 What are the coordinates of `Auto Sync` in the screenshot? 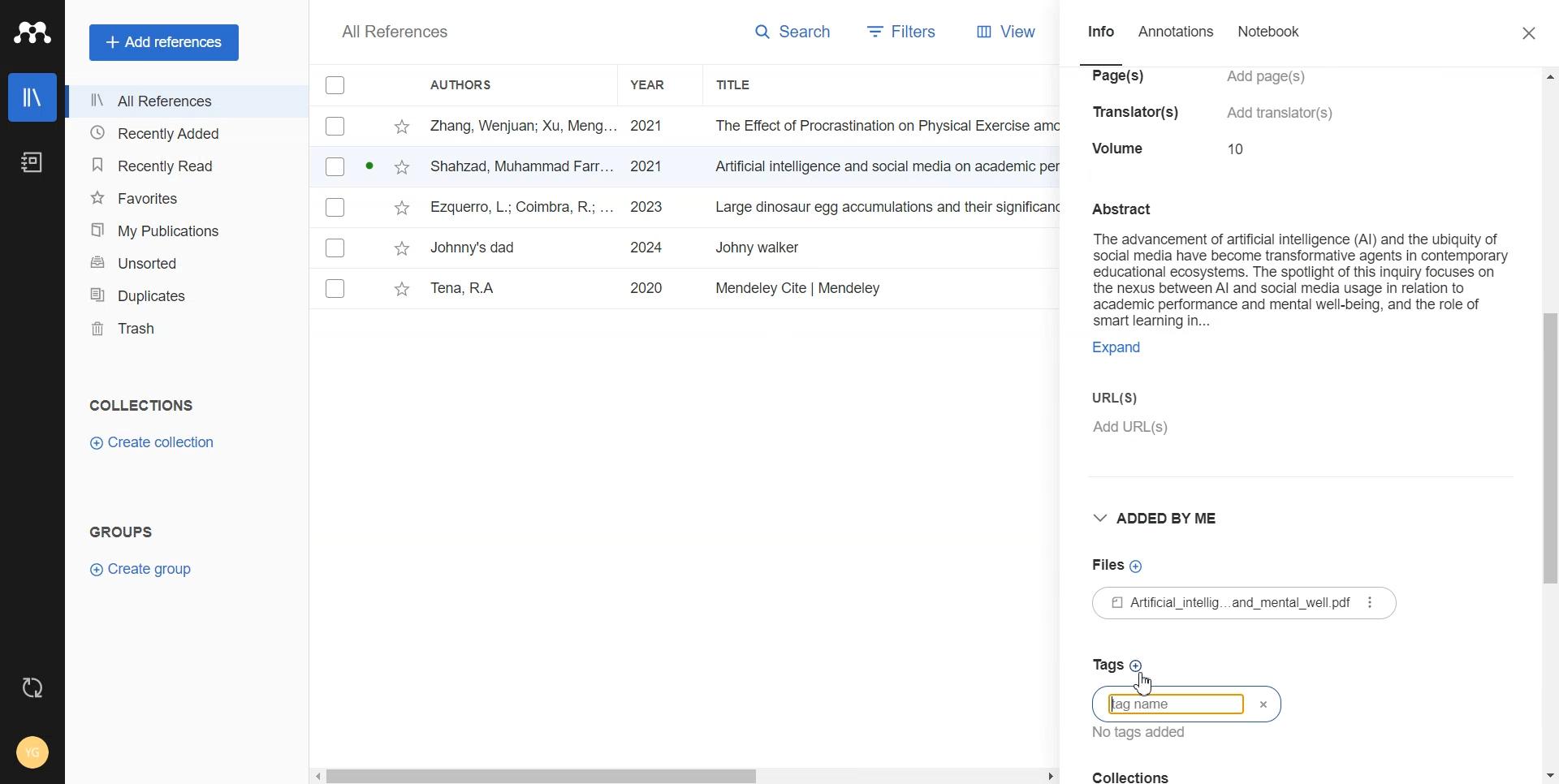 It's located at (33, 688).